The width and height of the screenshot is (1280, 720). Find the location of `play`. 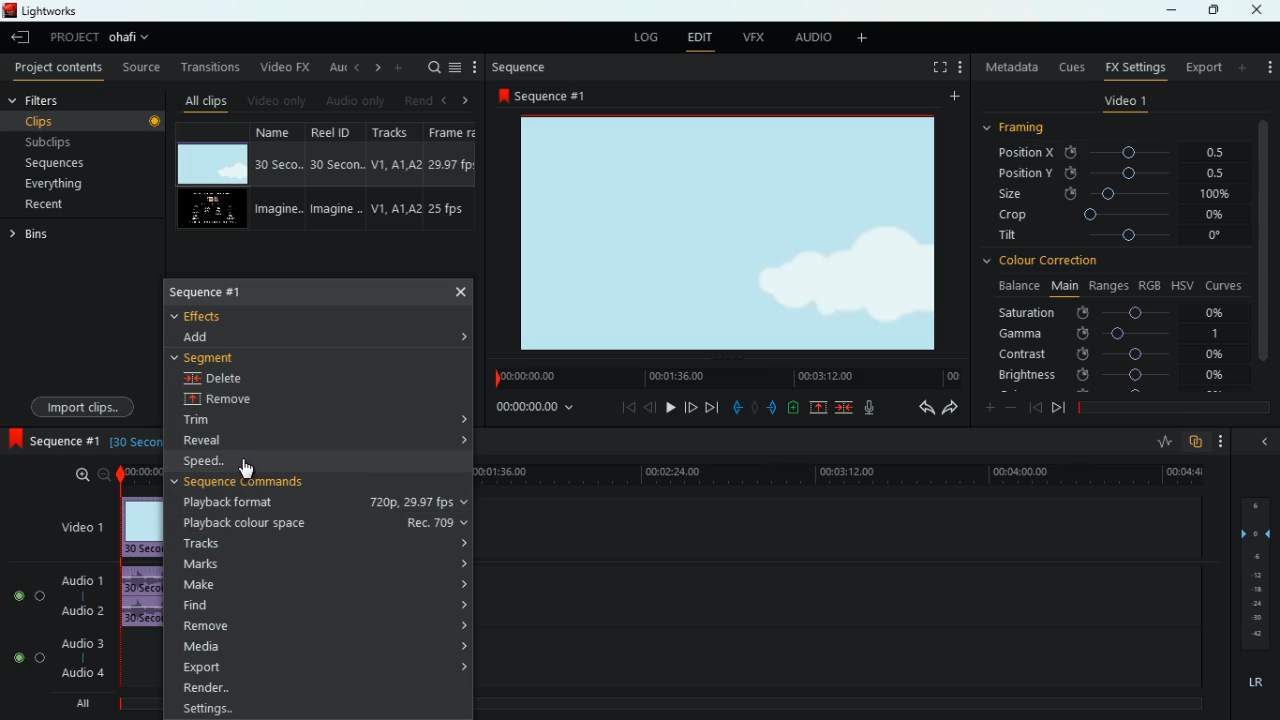

play is located at coordinates (671, 407).